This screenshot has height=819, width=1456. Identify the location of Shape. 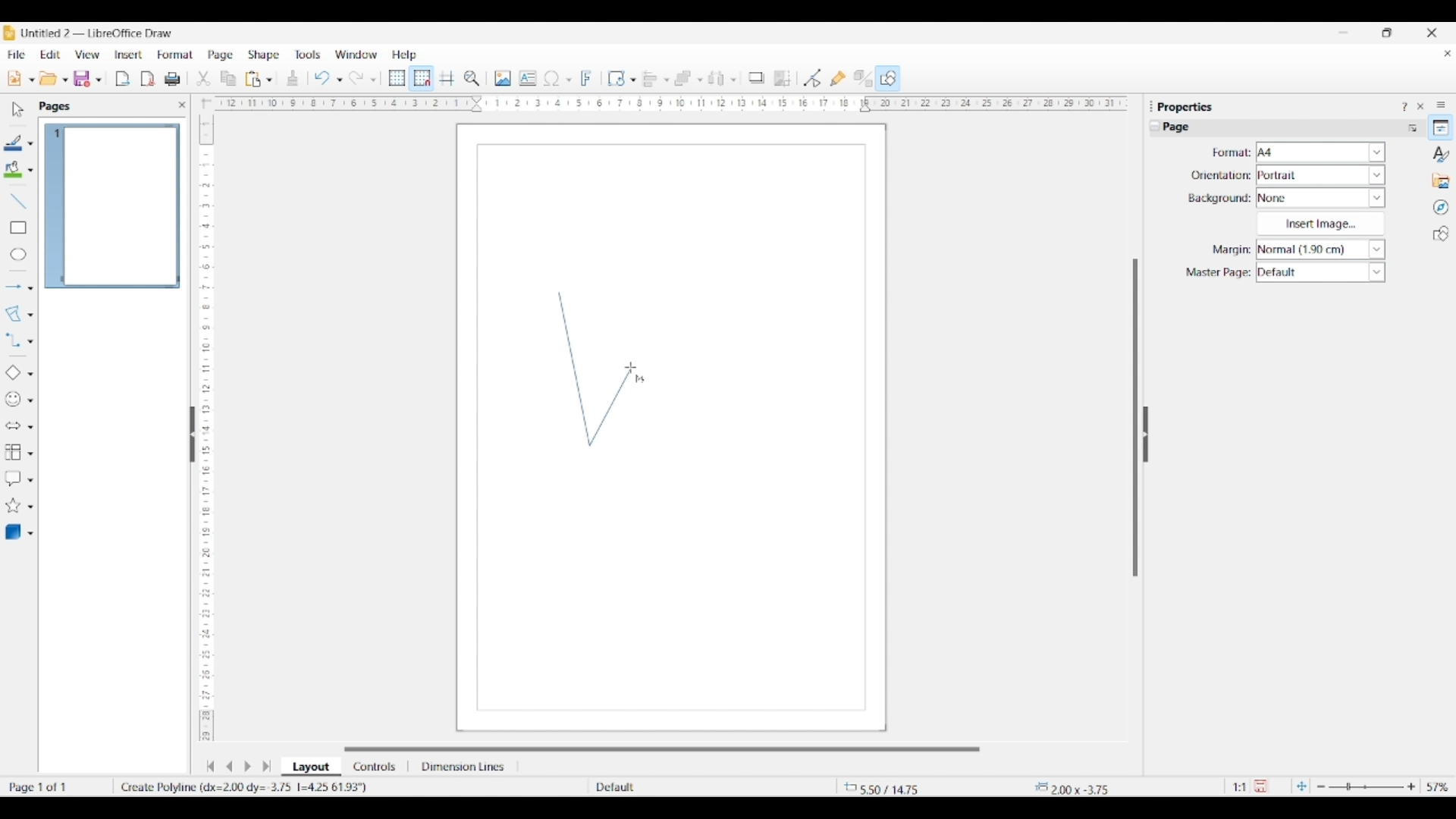
(265, 55).